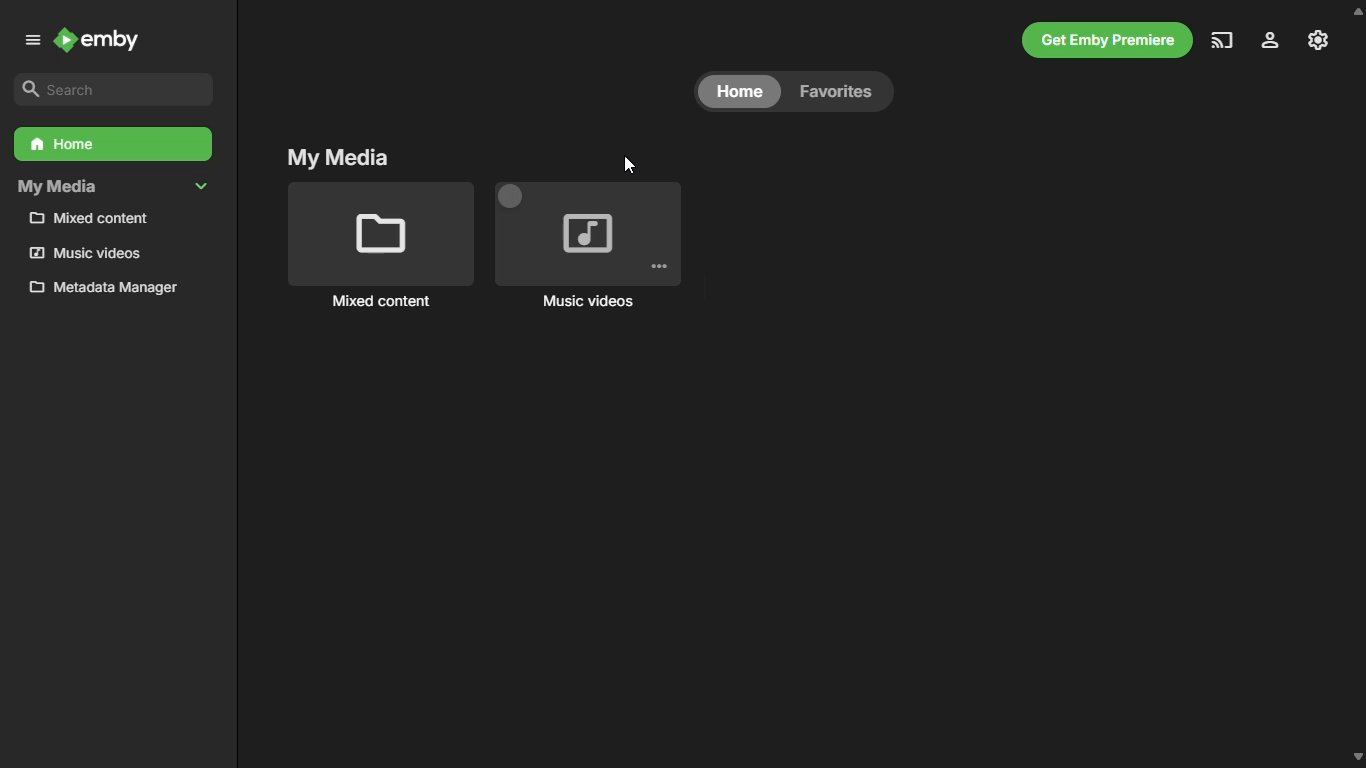 Image resolution: width=1366 pixels, height=768 pixels. What do you see at coordinates (88, 218) in the screenshot?
I see `mixed content` at bounding box center [88, 218].